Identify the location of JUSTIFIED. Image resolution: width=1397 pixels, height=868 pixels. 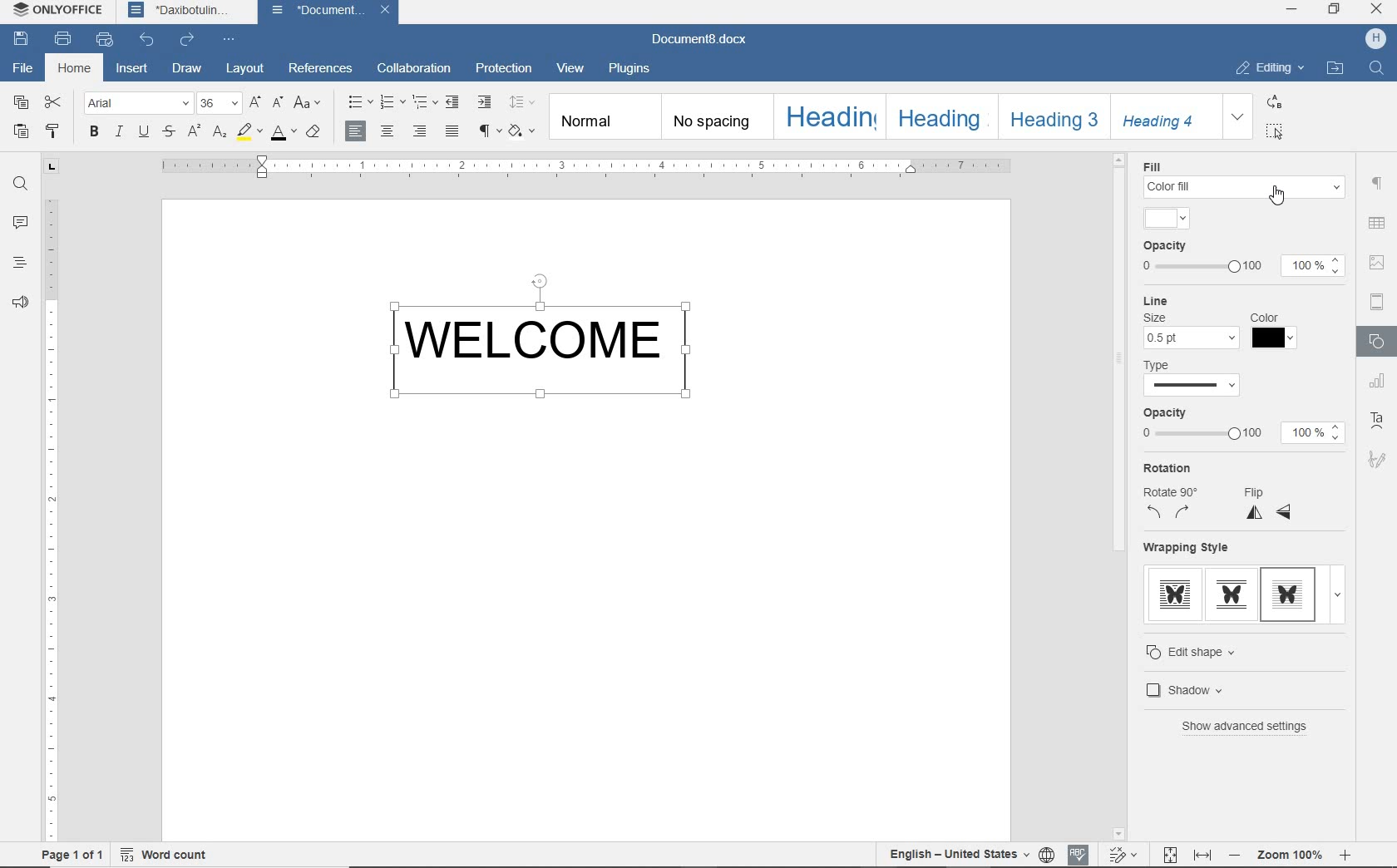
(452, 132).